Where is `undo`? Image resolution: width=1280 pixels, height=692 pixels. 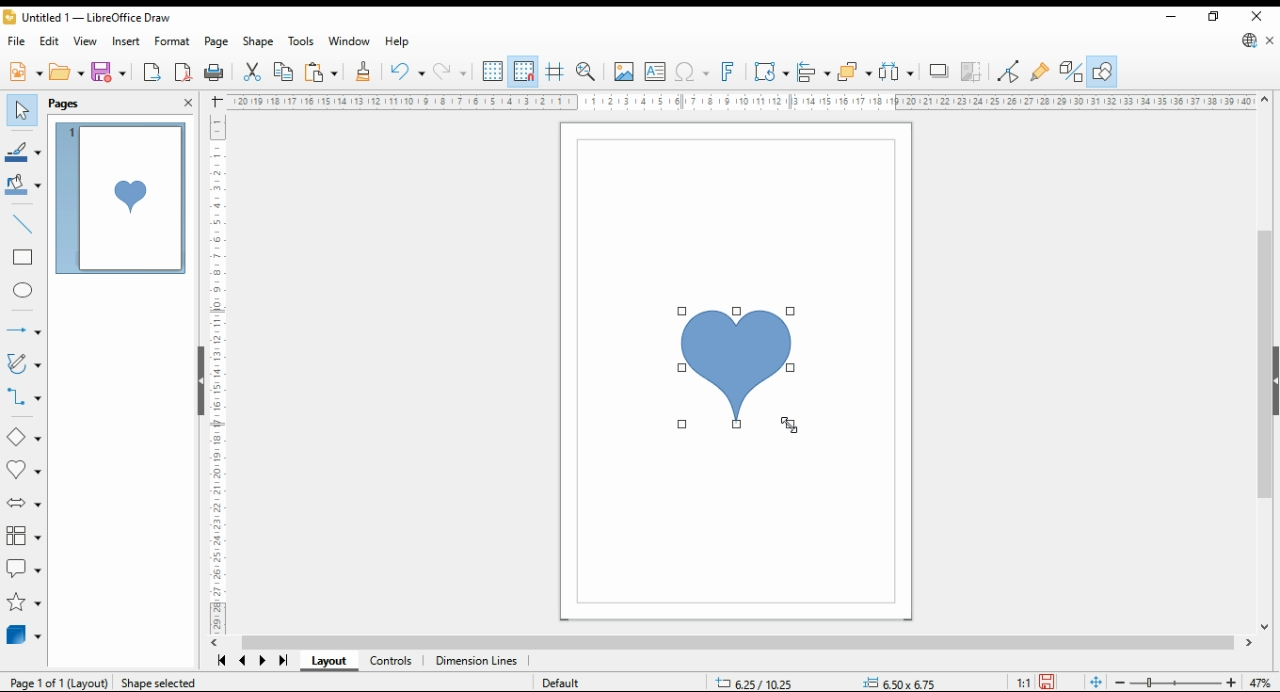 undo is located at coordinates (405, 70).